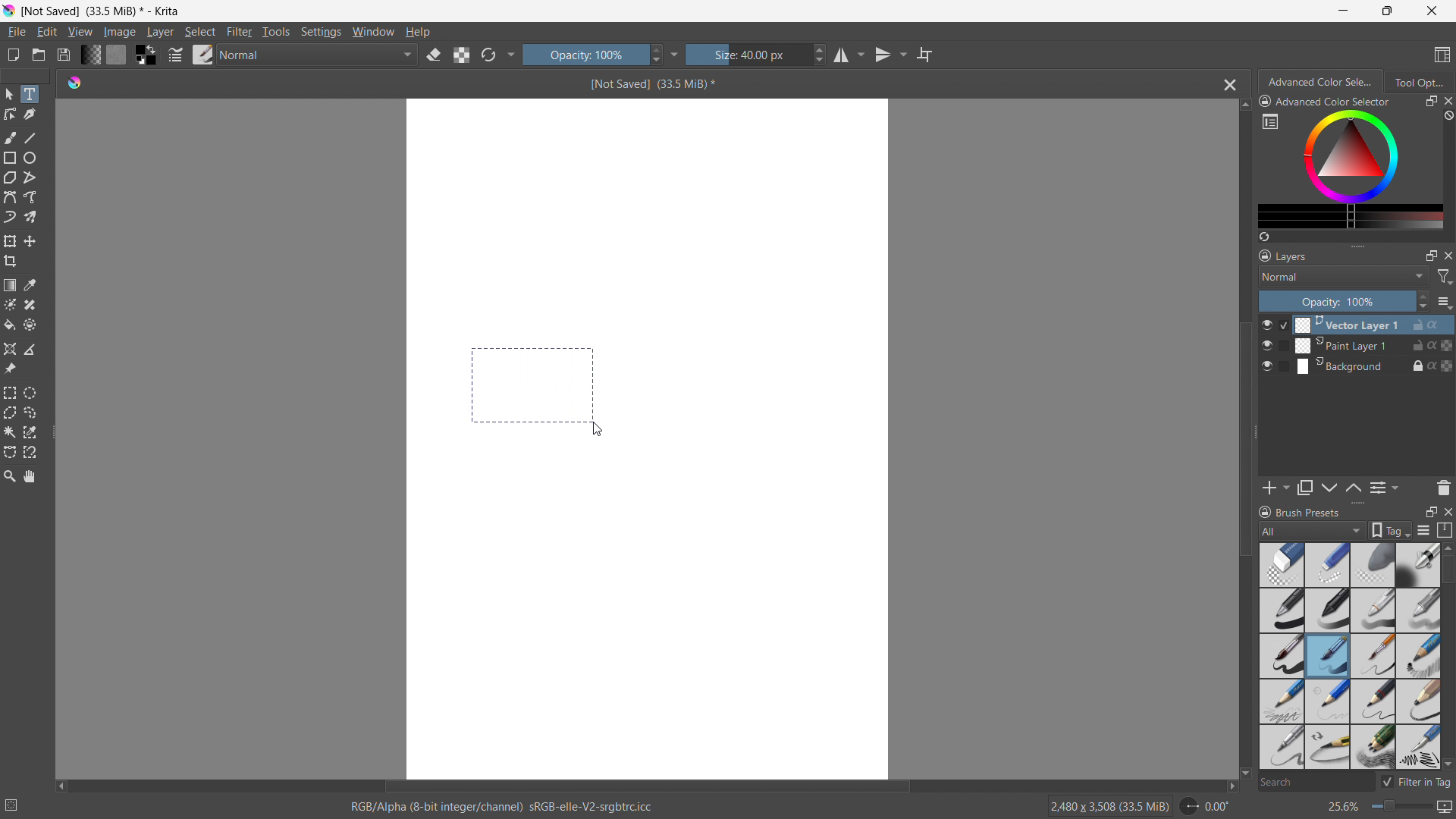 The height and width of the screenshot is (819, 1456). Describe the element at coordinates (1109, 805) in the screenshot. I see `2480 X 3508 (33.5 MiB)` at that location.